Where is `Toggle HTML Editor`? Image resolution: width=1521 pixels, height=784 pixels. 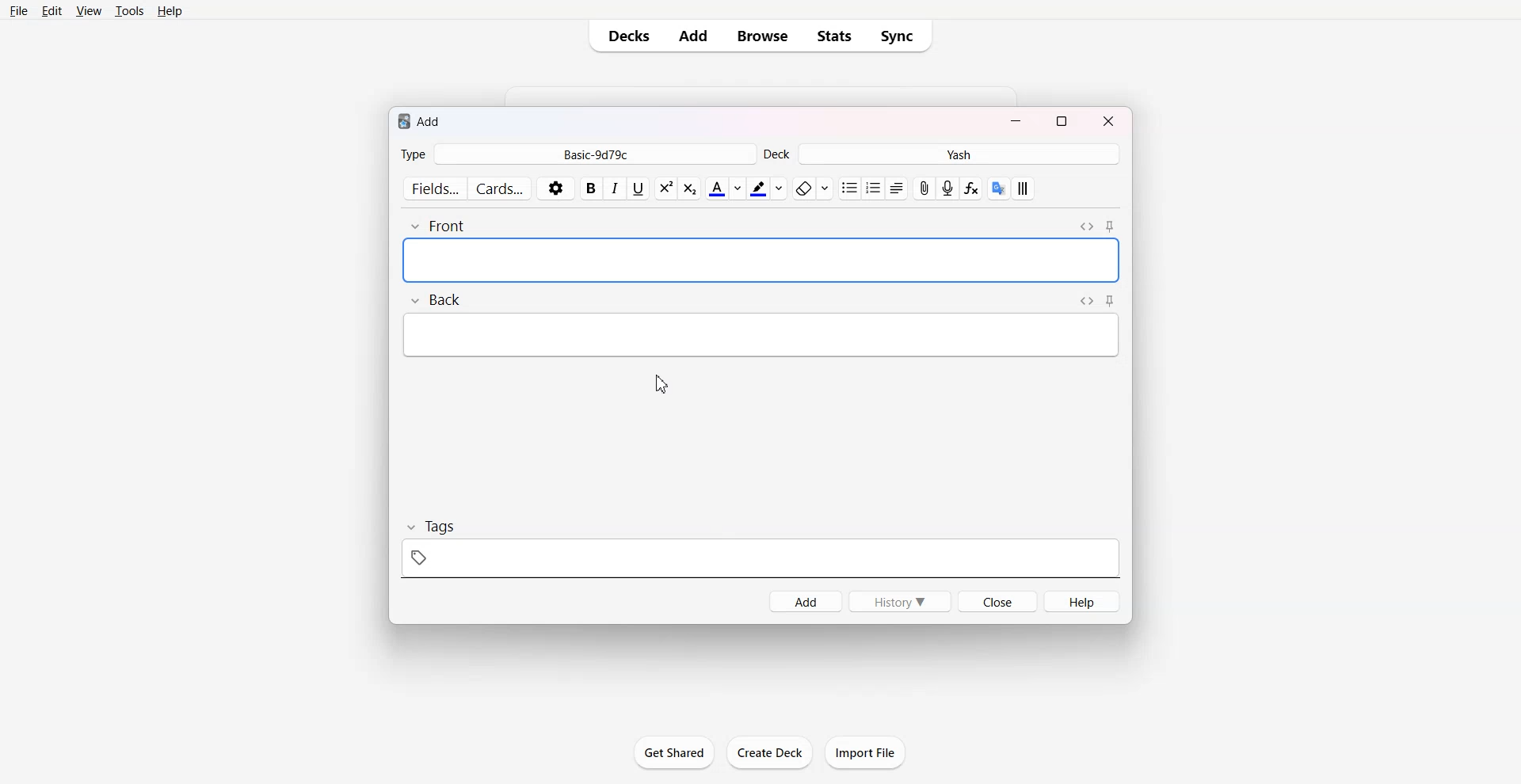 Toggle HTML Editor is located at coordinates (1087, 226).